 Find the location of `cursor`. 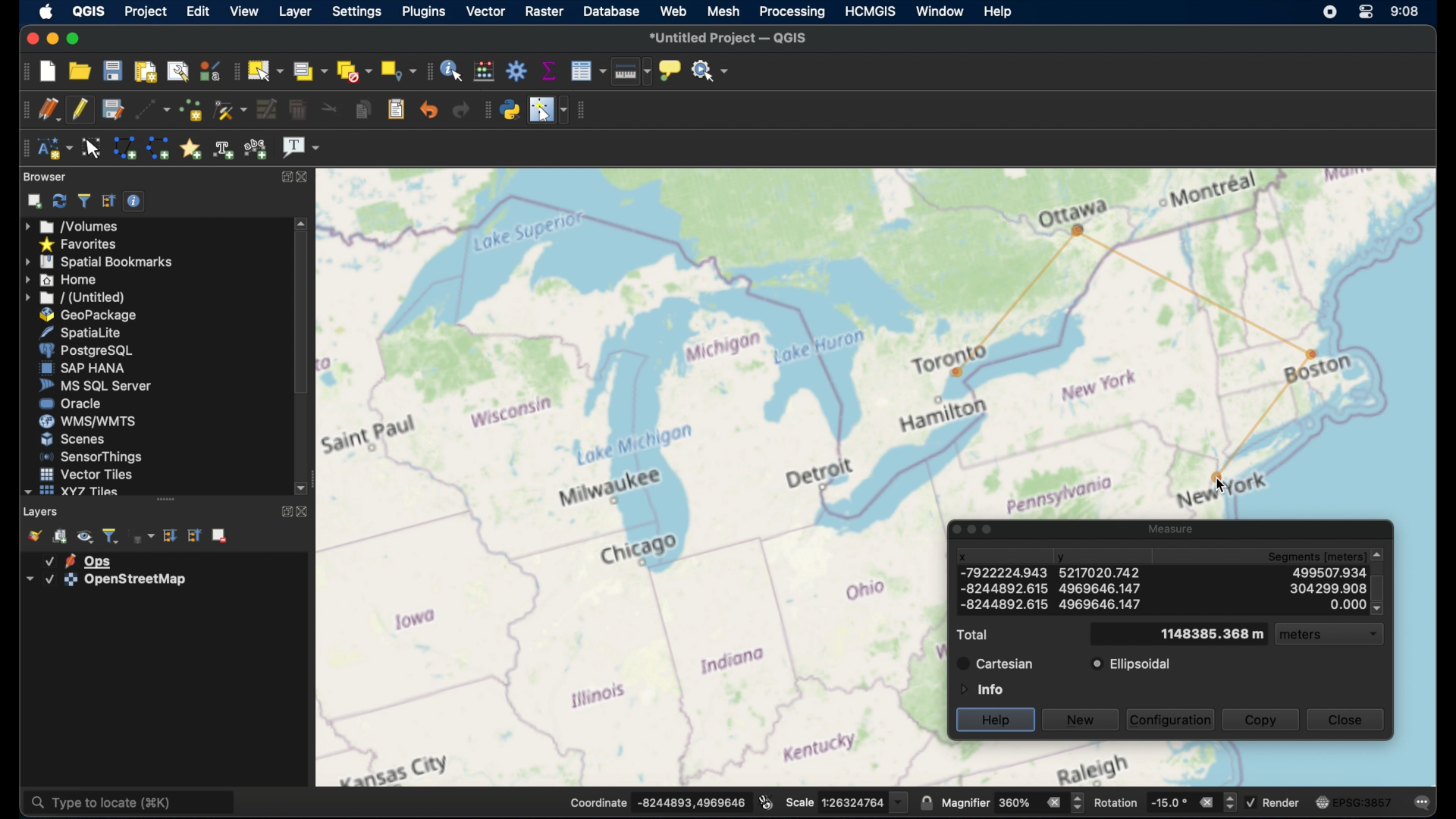

cursor is located at coordinates (1222, 485).